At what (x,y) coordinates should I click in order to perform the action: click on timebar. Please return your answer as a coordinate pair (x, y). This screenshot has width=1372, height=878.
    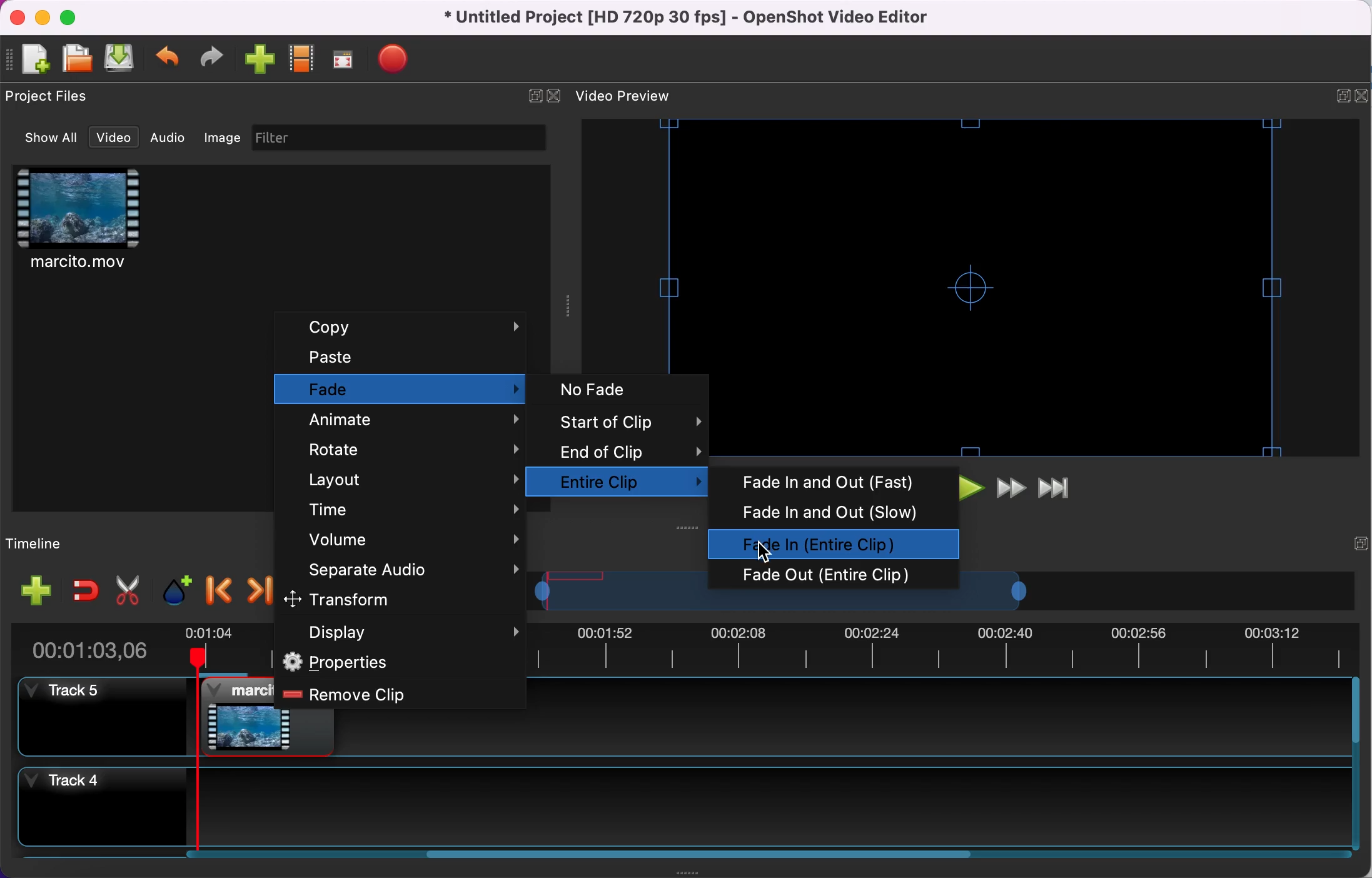
    Looking at the image, I should click on (944, 647).